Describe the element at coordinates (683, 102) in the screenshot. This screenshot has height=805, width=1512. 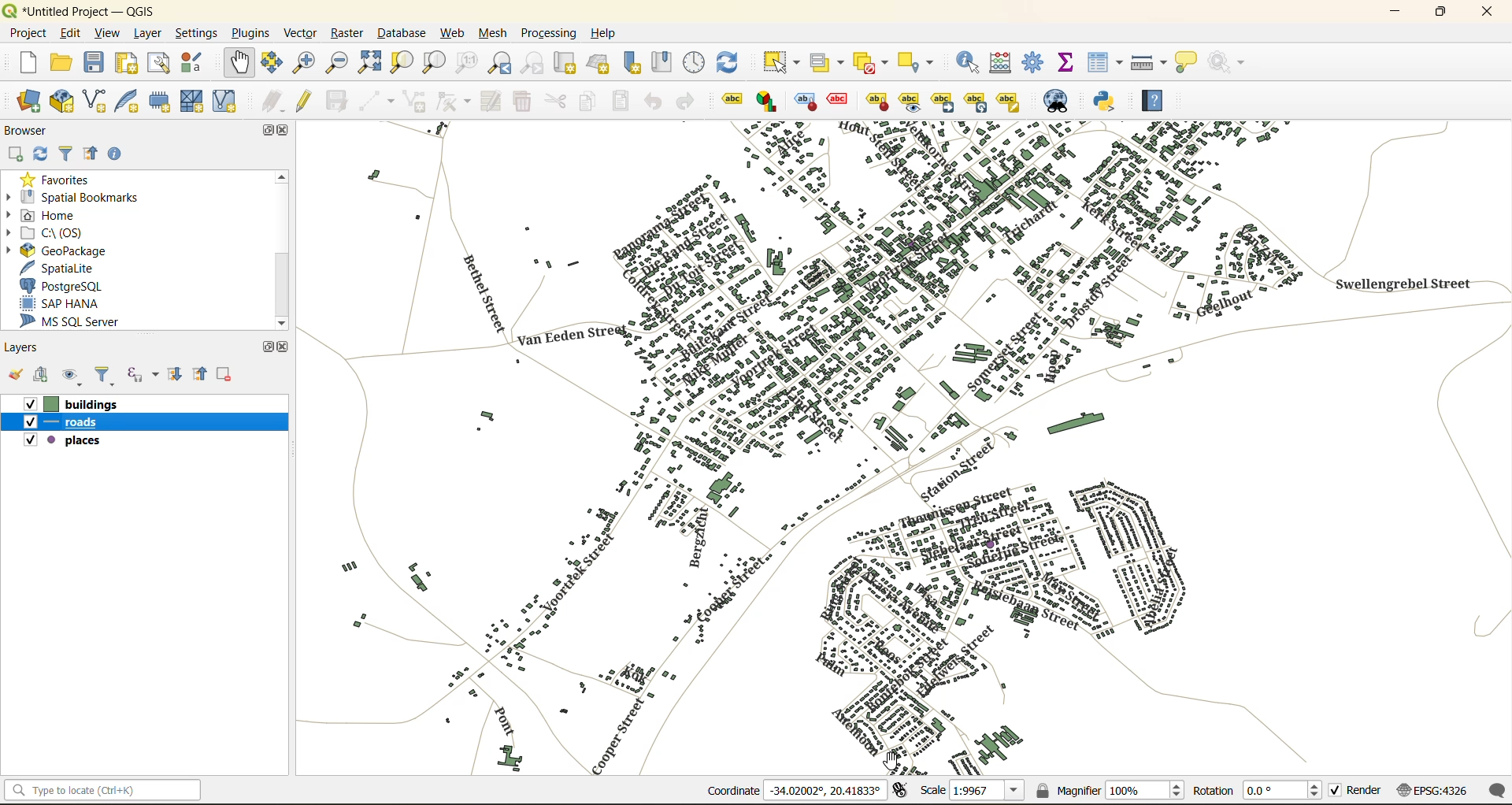
I see `redo` at that location.